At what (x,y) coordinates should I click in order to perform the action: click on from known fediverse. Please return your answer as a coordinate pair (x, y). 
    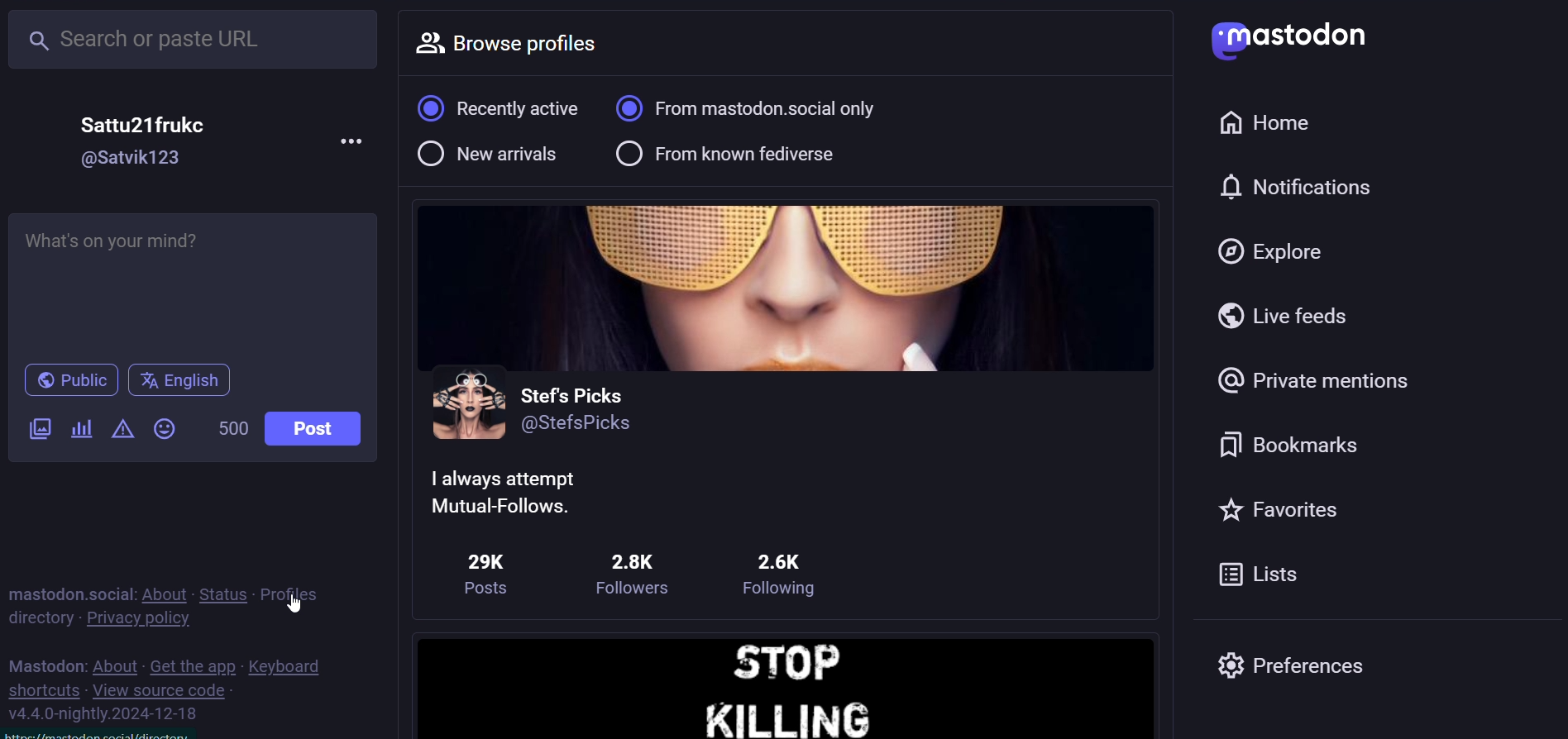
    Looking at the image, I should click on (732, 155).